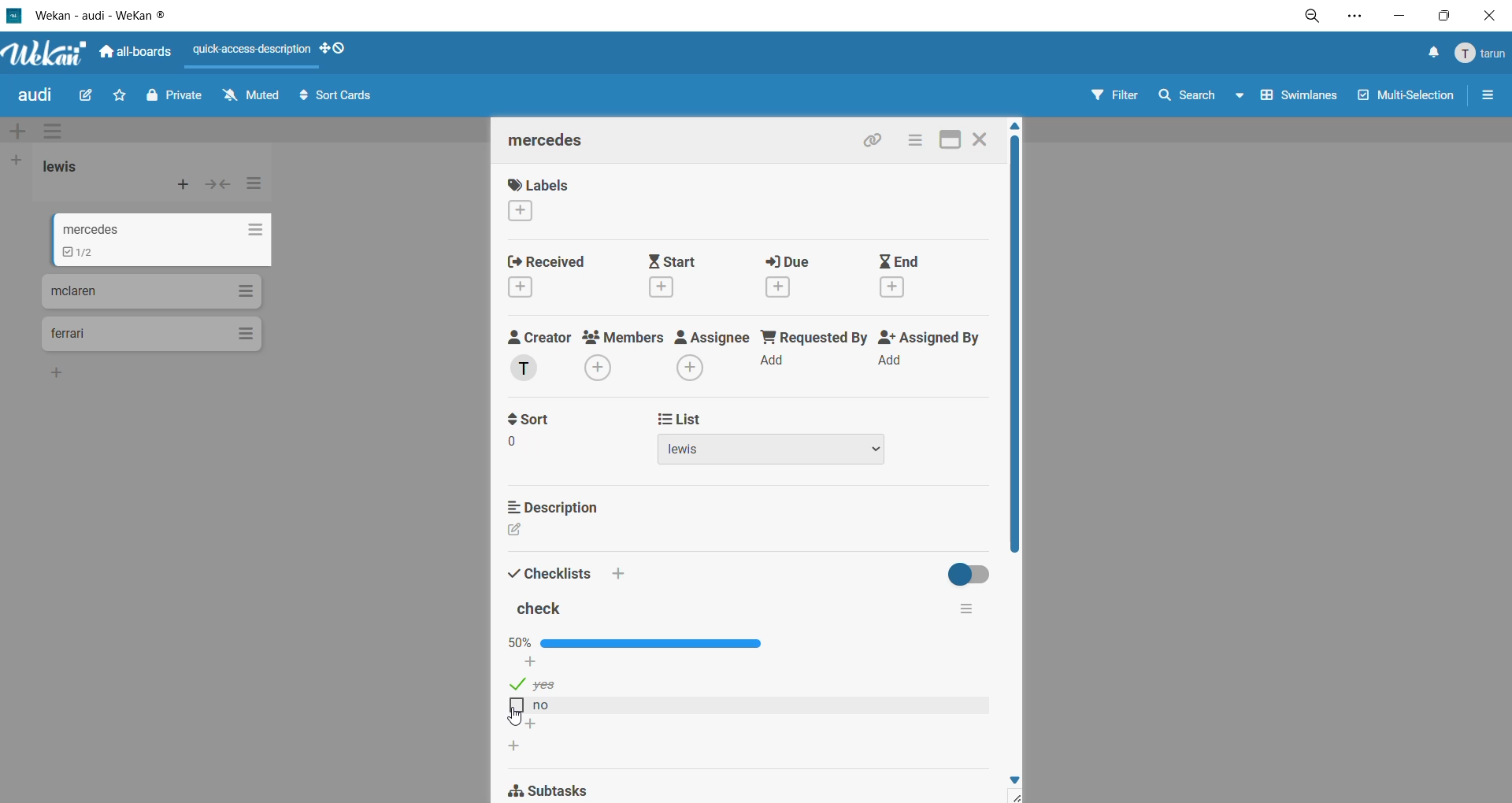 The image size is (1512, 803). What do you see at coordinates (255, 100) in the screenshot?
I see `muted` at bounding box center [255, 100].